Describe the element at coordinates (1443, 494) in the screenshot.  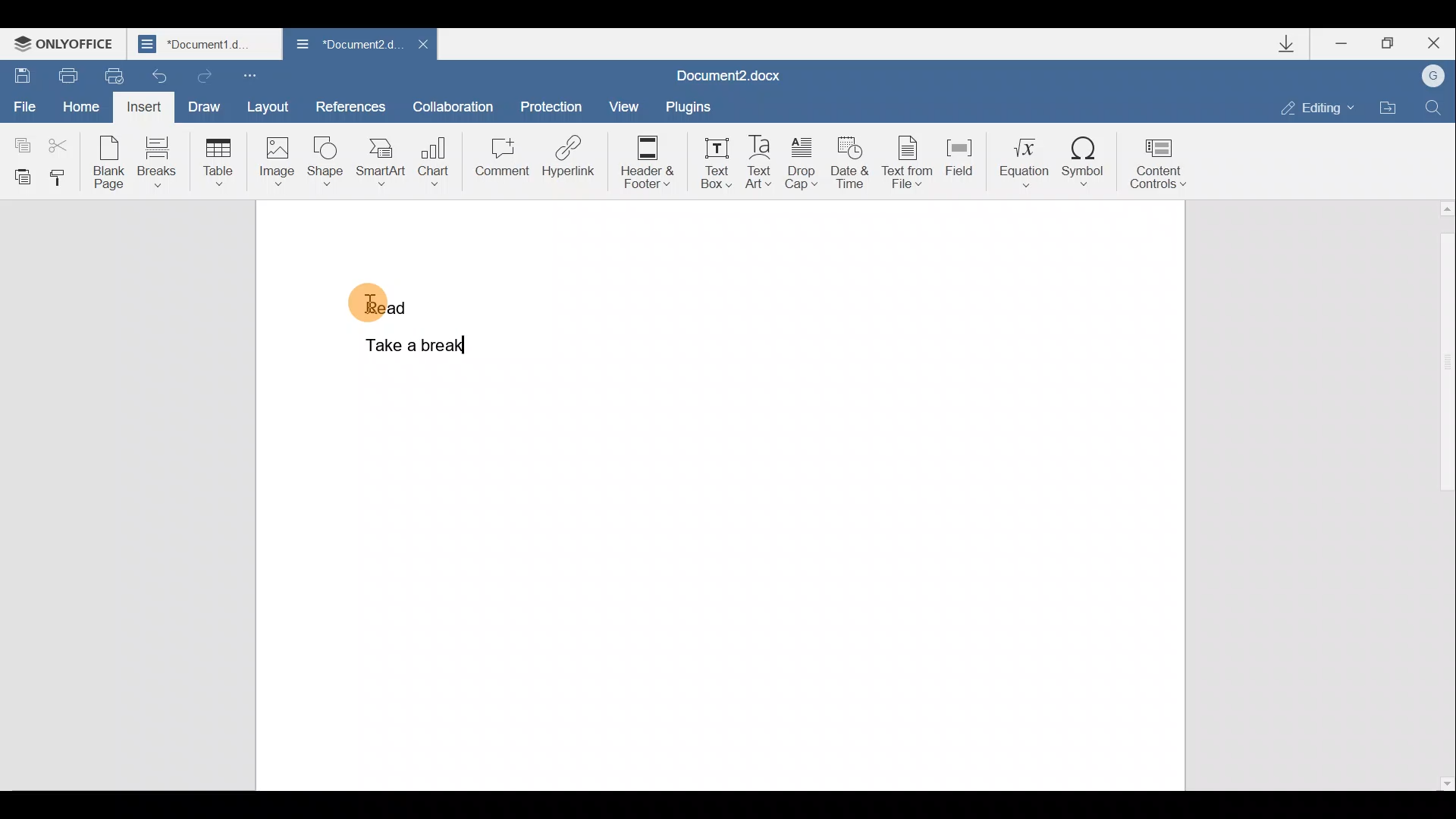
I see `Scroll bar` at that location.